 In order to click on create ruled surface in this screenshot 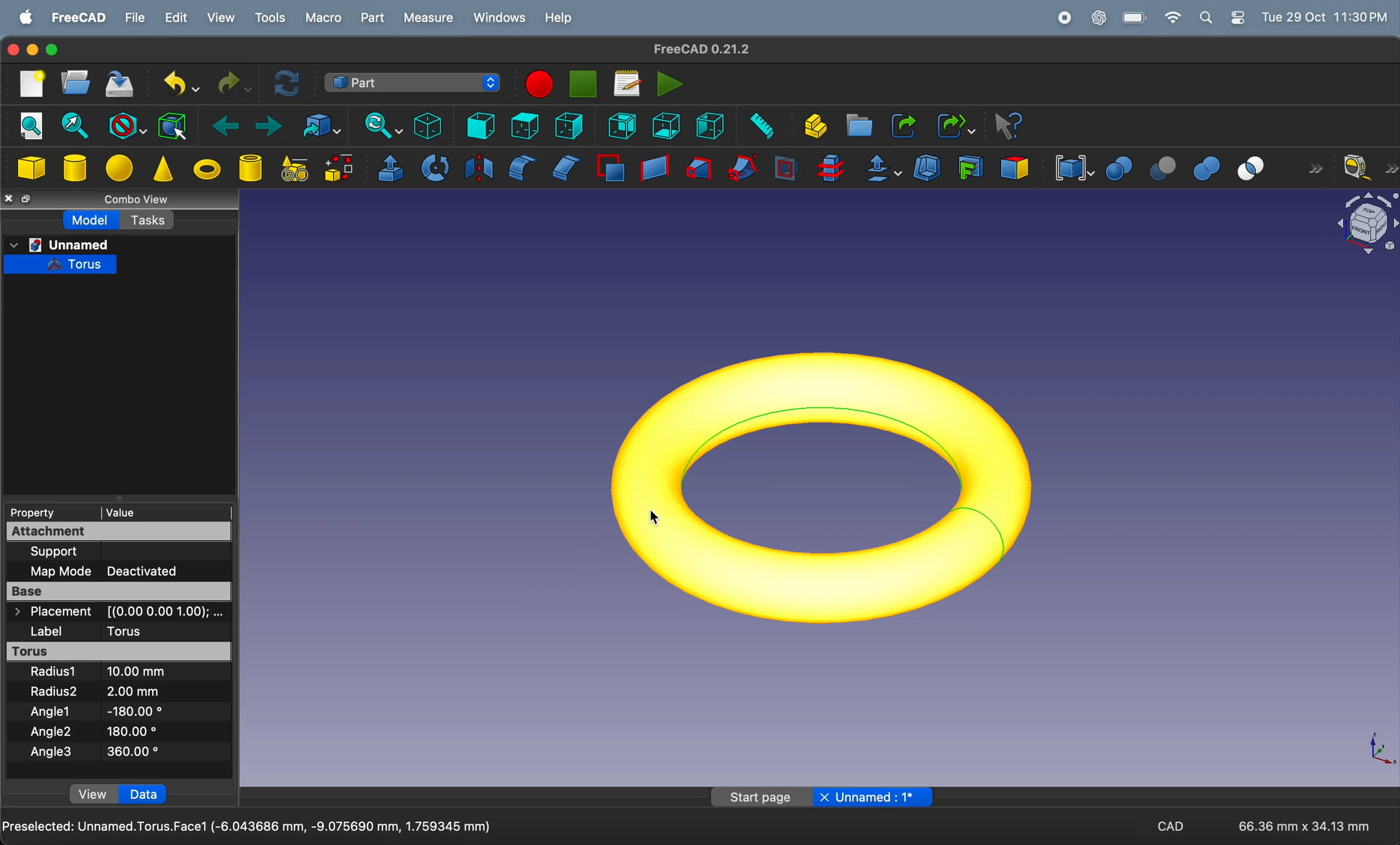, I will do `click(655, 168)`.